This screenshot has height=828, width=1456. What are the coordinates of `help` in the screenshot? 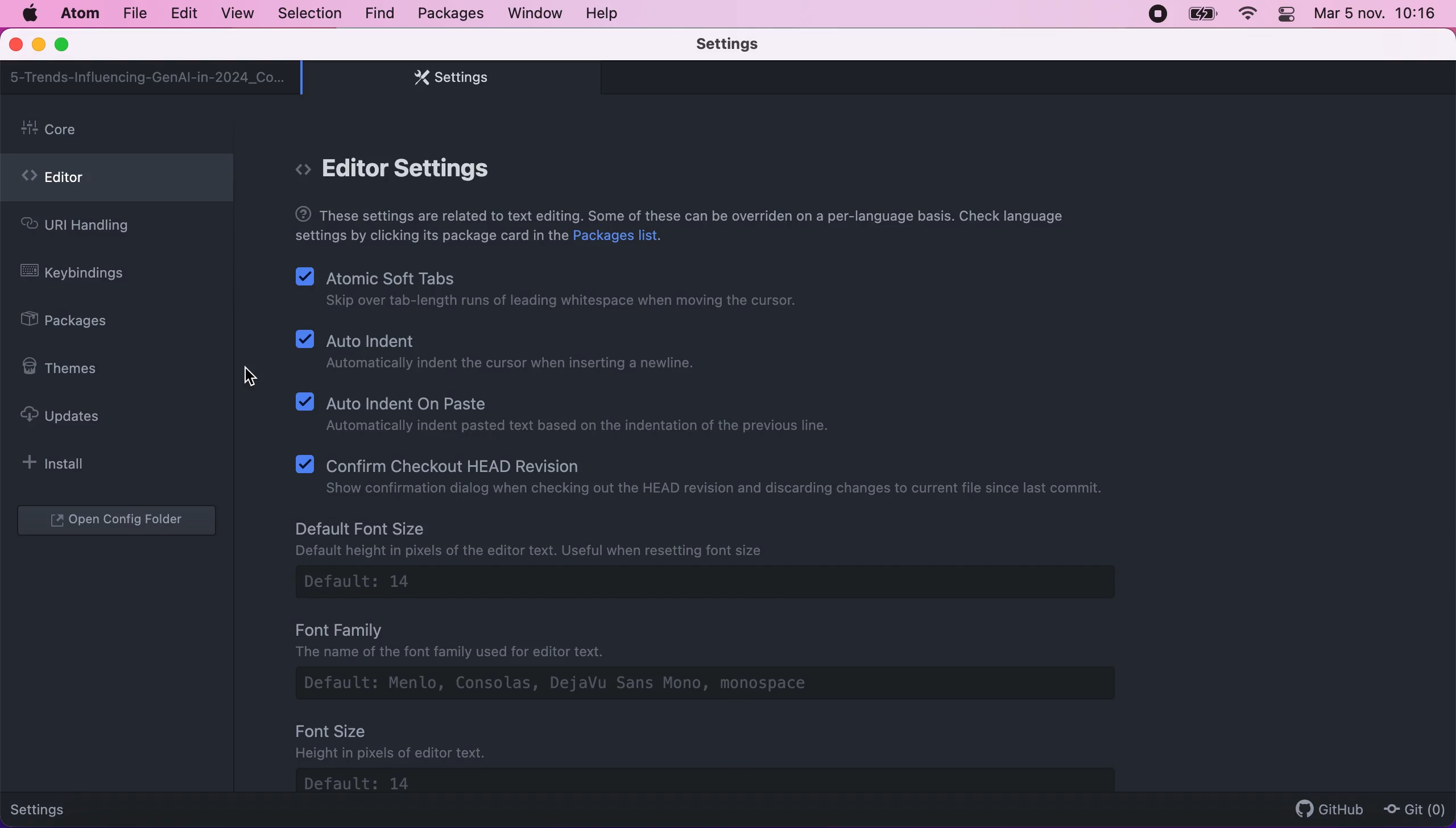 It's located at (605, 13).